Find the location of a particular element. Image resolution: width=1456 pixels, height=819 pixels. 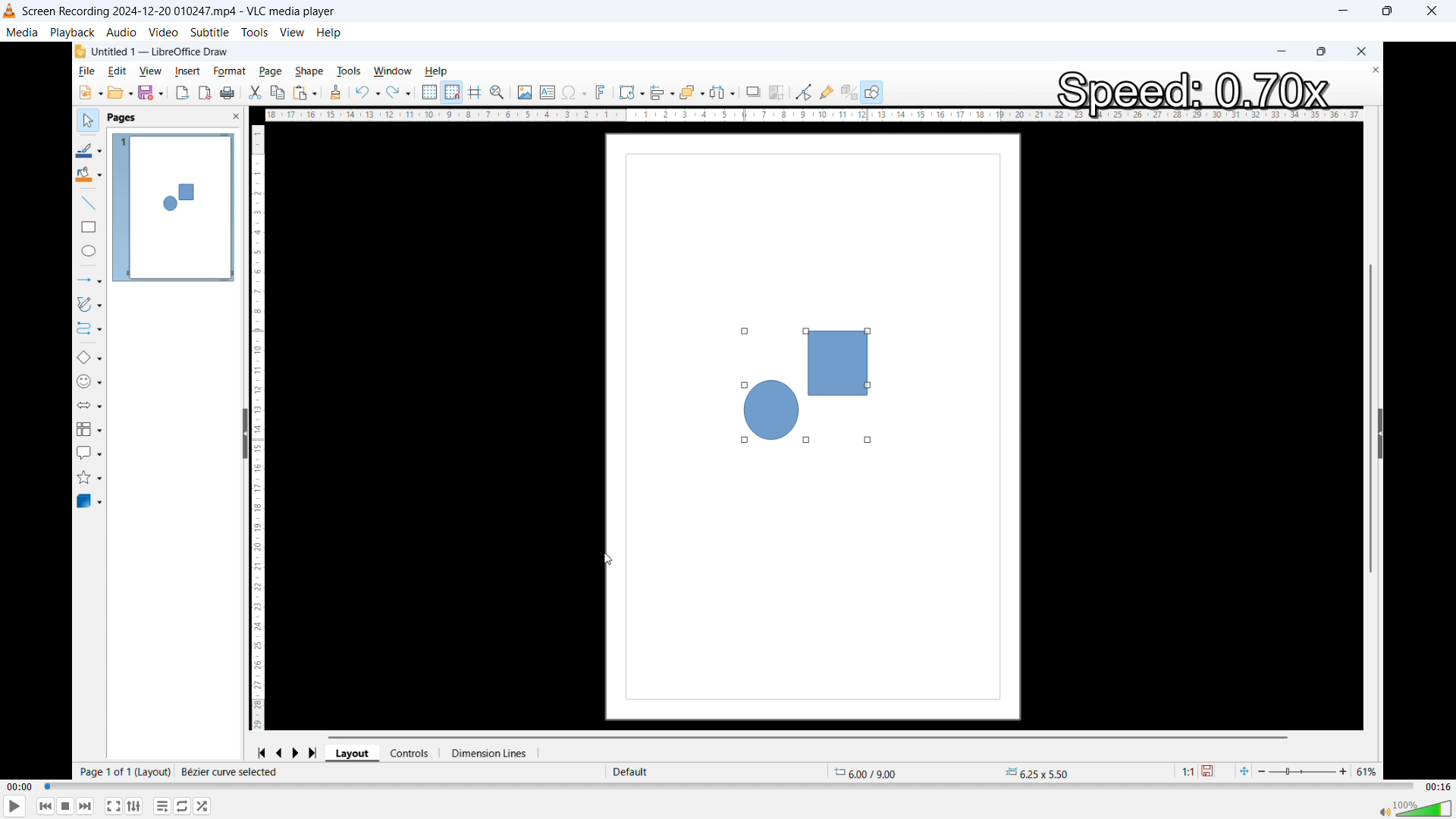

Video  is located at coordinates (163, 33).